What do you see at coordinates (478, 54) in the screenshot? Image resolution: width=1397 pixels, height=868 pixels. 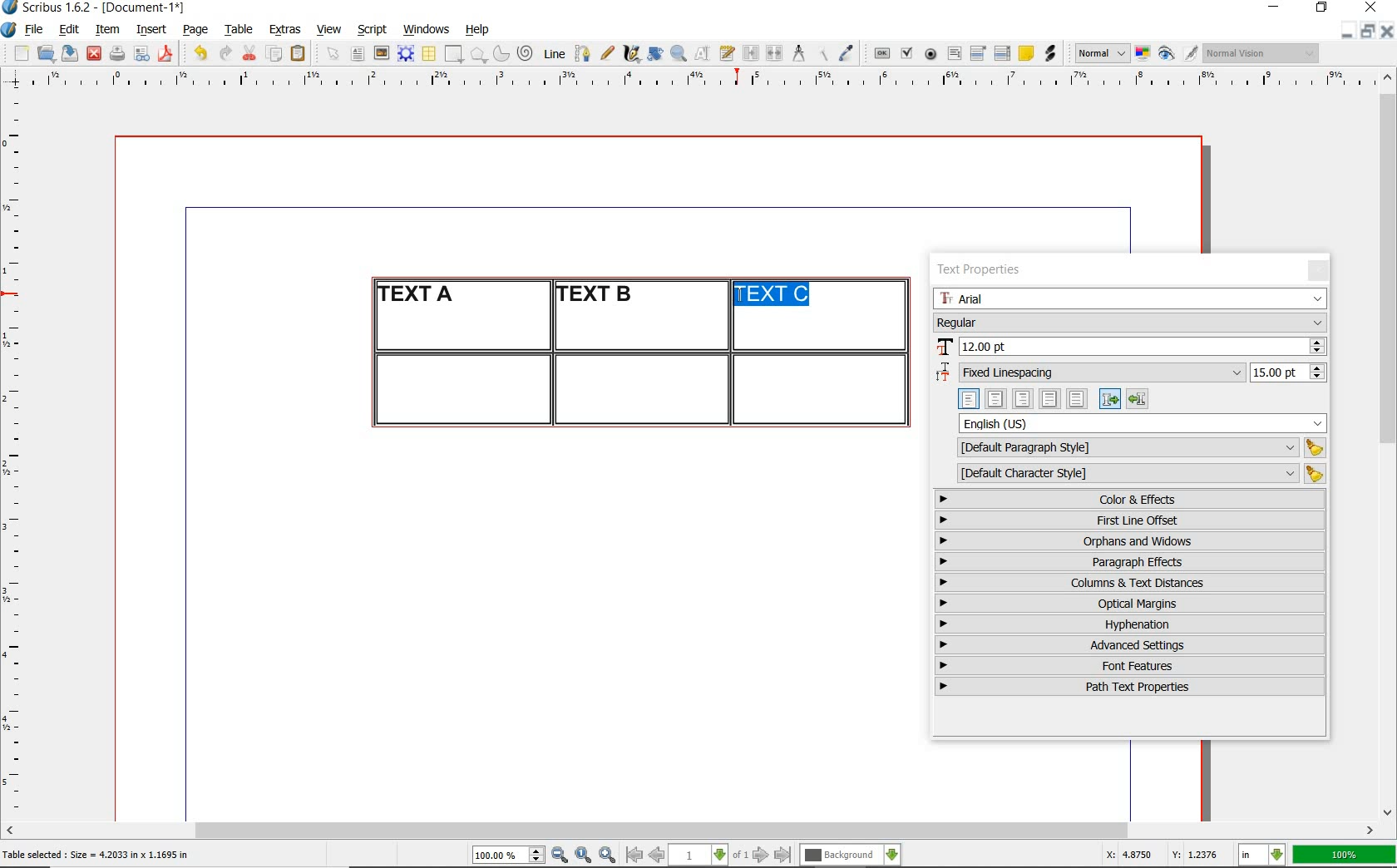 I see `polygon` at bounding box center [478, 54].